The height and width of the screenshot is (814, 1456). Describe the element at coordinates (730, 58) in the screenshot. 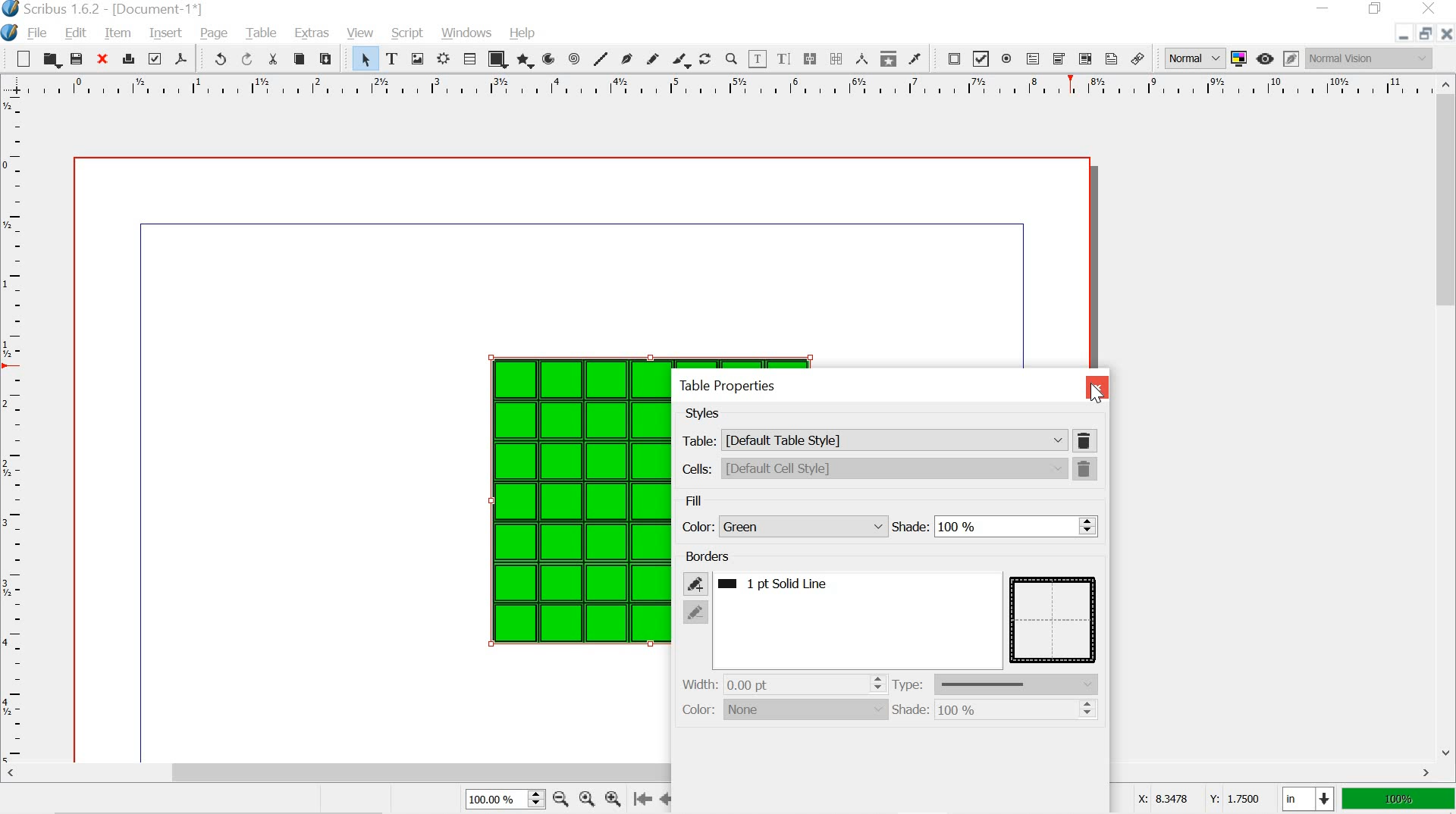

I see `zoom in or zoom out` at that location.